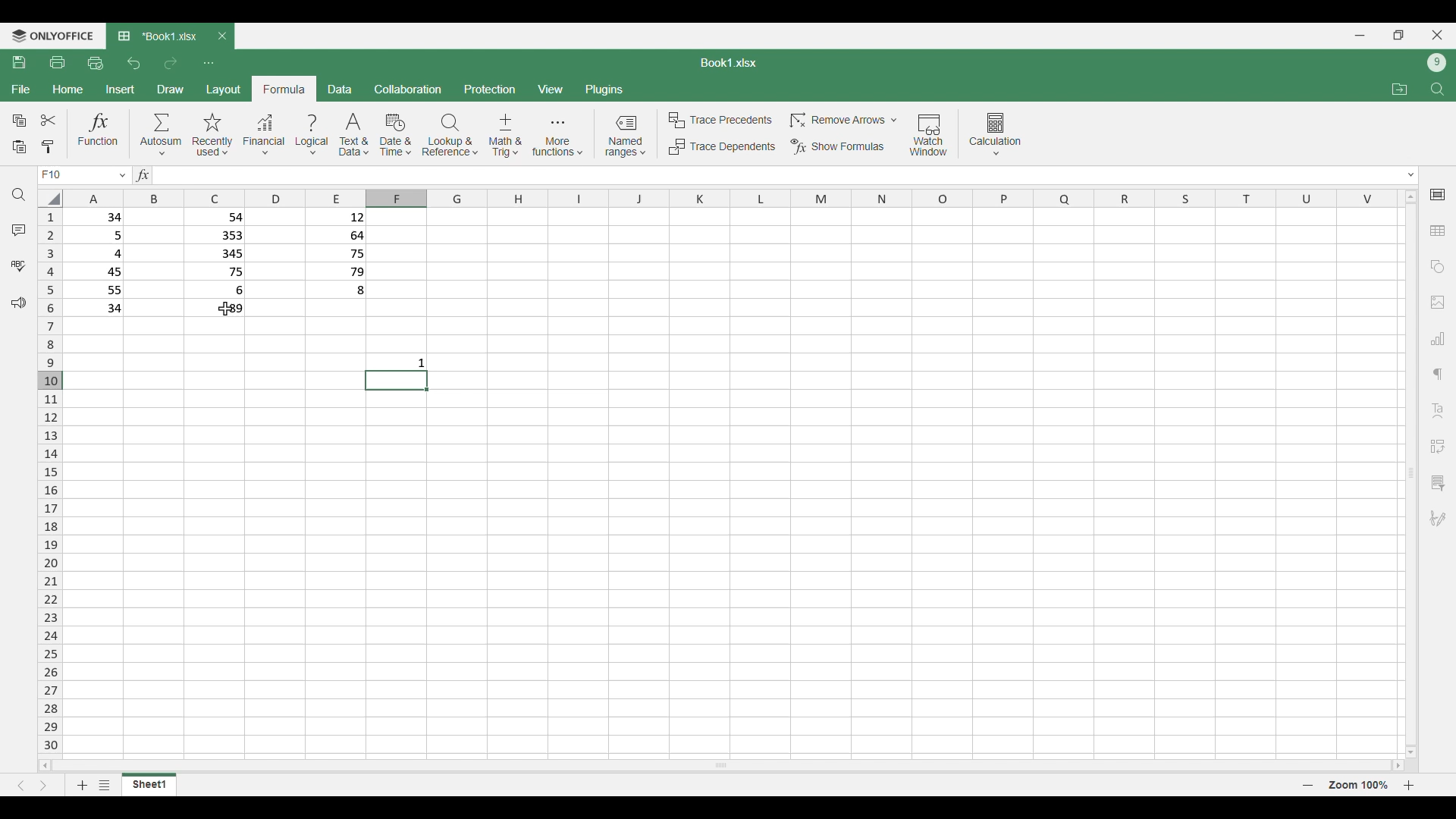 Image resolution: width=1456 pixels, height=819 pixels. What do you see at coordinates (396, 381) in the screenshot?
I see `Selected cell` at bounding box center [396, 381].